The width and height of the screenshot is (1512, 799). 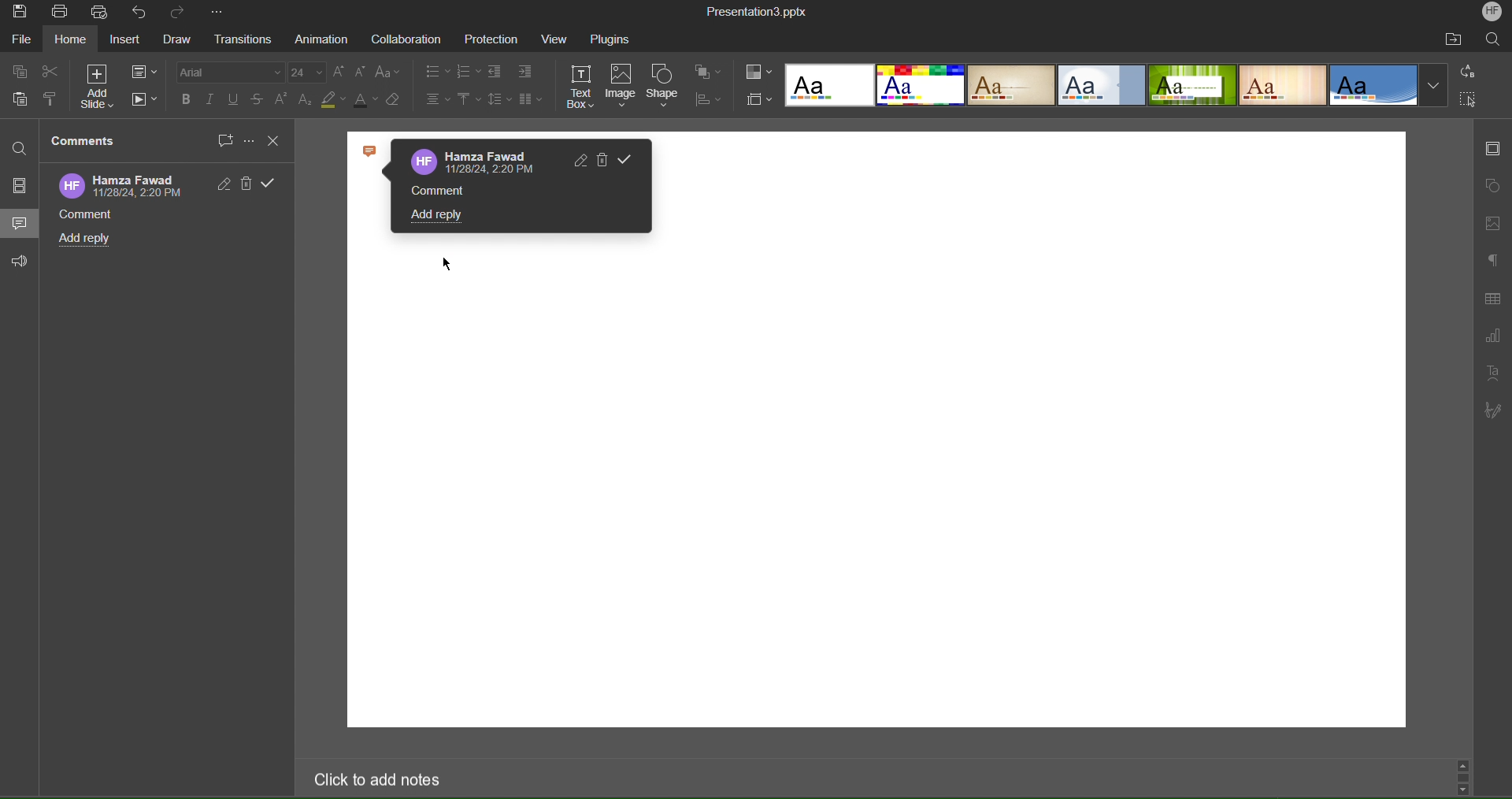 What do you see at coordinates (140, 12) in the screenshot?
I see `Undo` at bounding box center [140, 12].